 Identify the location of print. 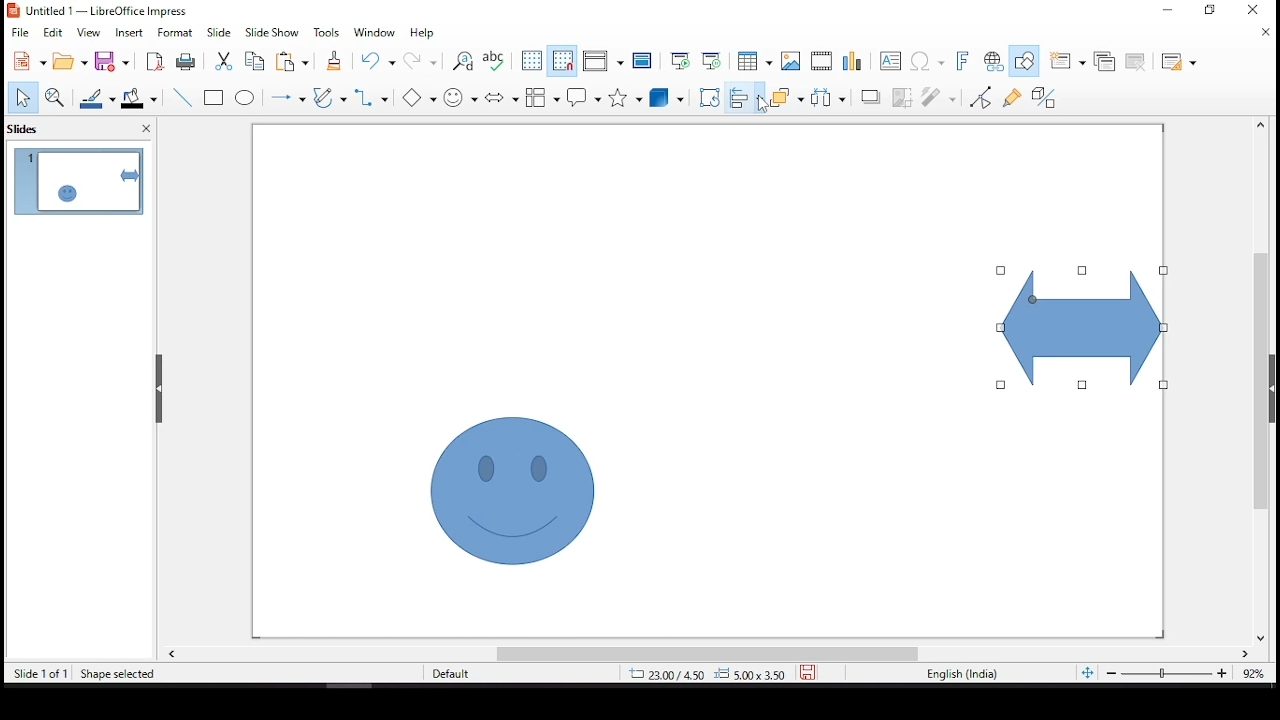
(185, 62).